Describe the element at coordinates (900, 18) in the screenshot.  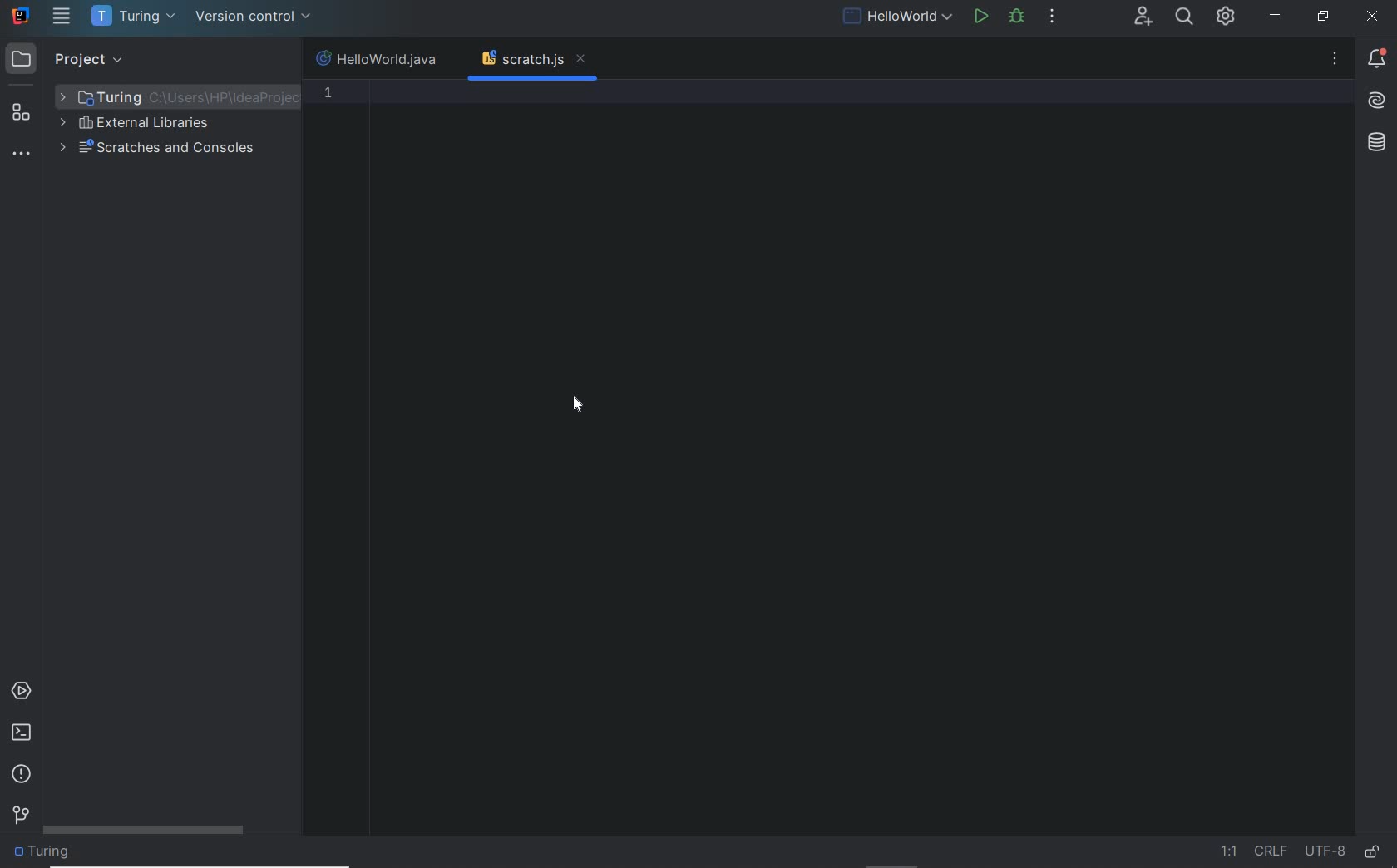
I see `run or debug configurations` at that location.